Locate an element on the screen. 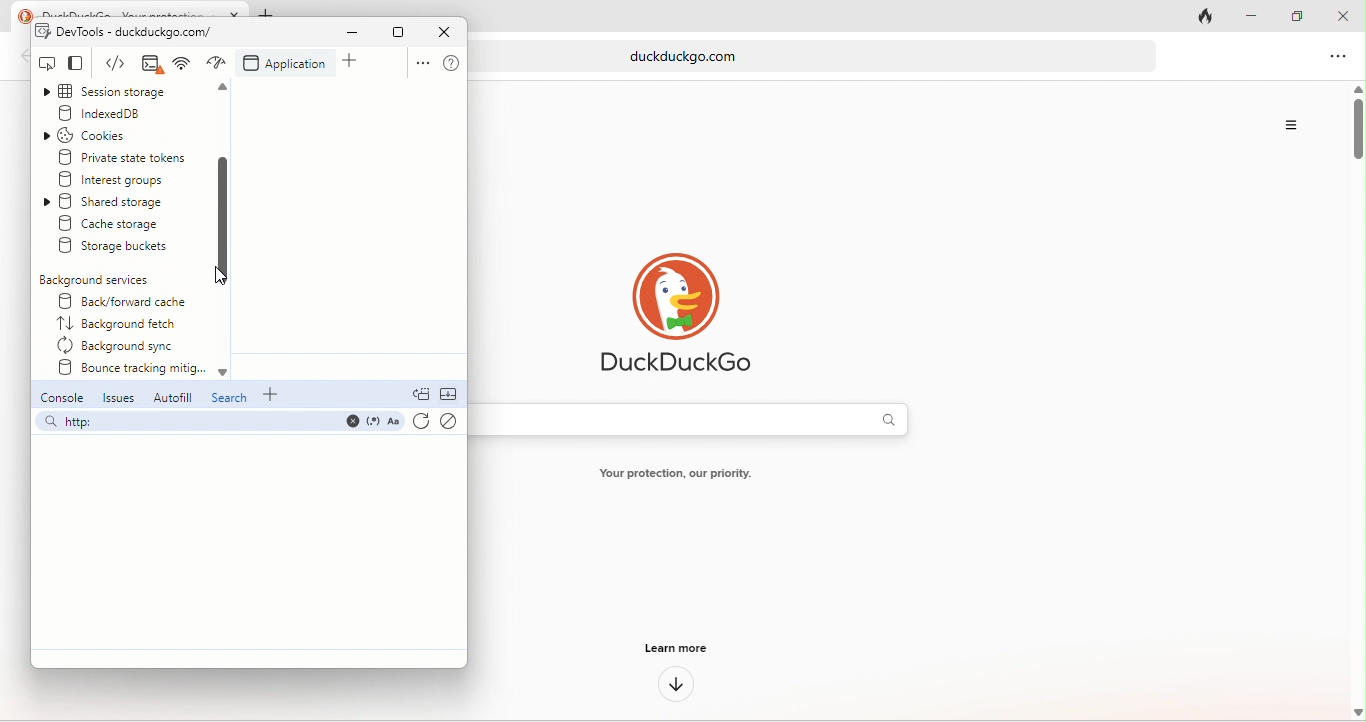 This screenshot has height=722, width=1366. inspect is located at coordinates (47, 64).